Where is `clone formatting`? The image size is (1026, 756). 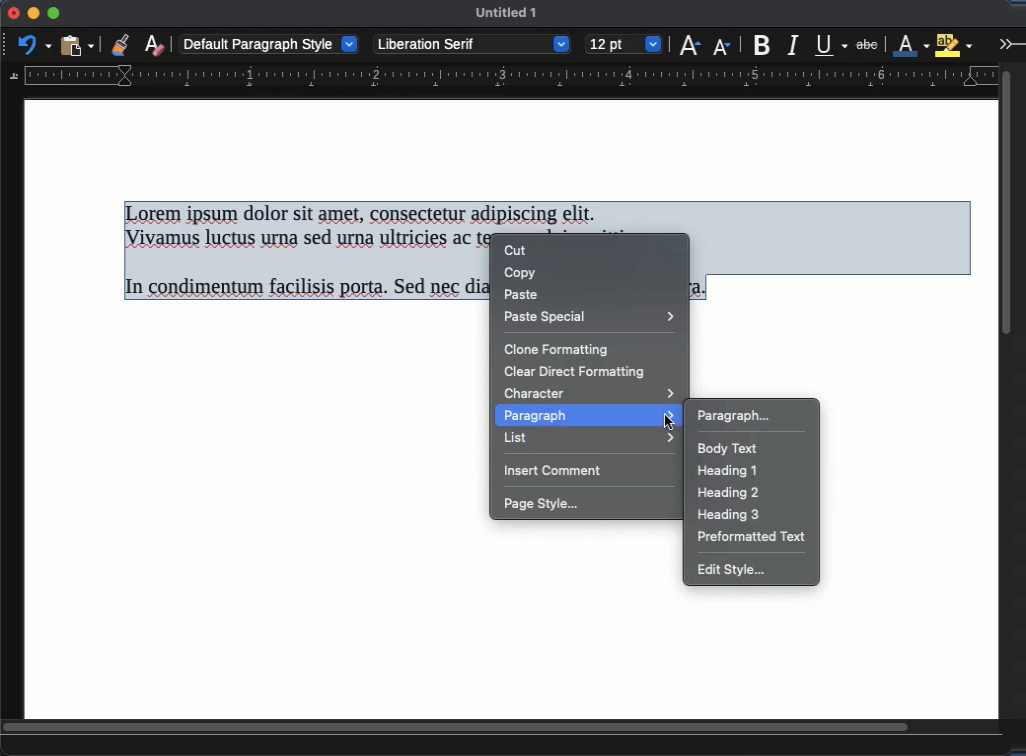
clone formatting is located at coordinates (120, 44).